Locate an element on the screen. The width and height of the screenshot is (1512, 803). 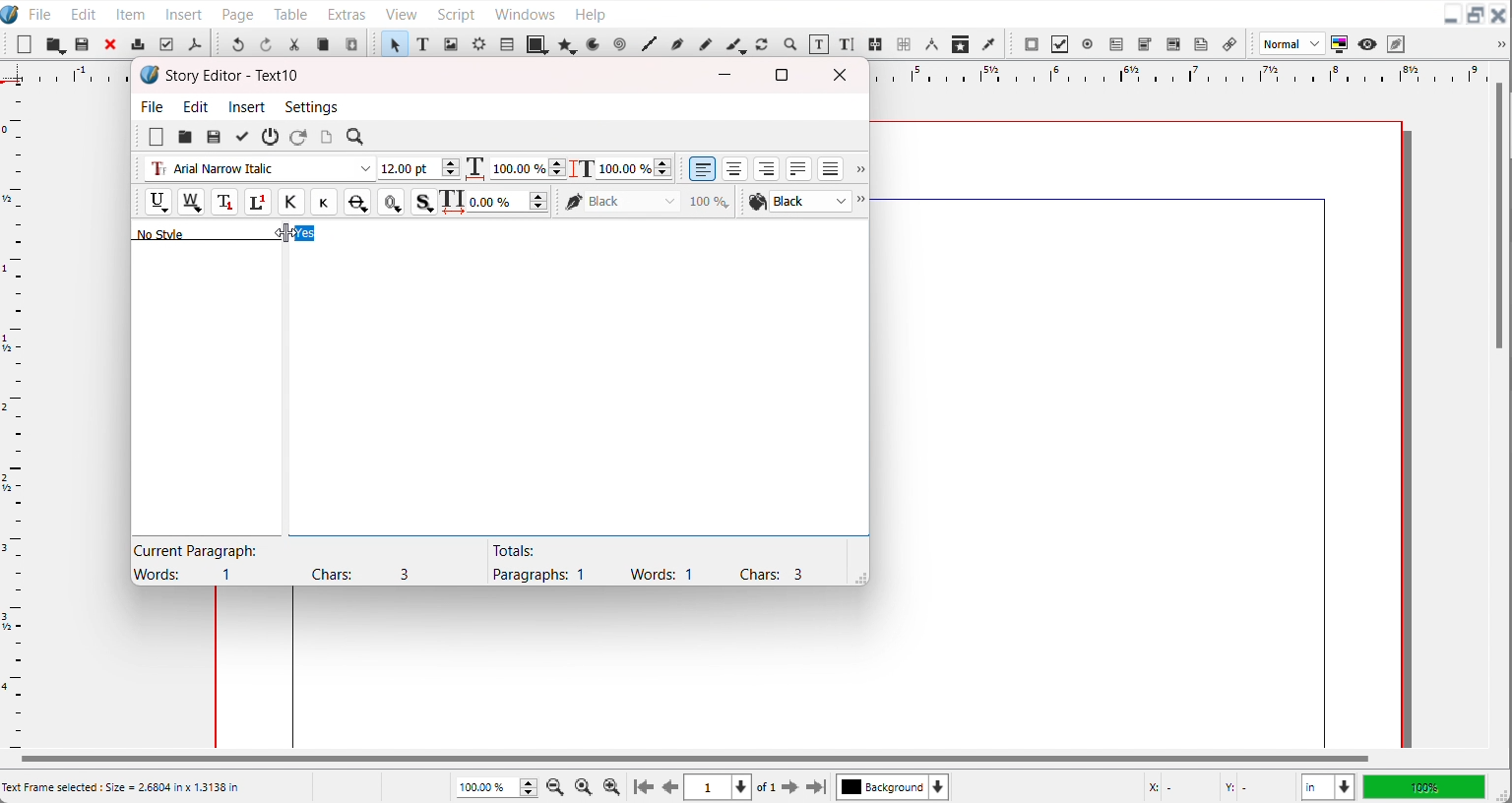
Text is located at coordinates (225, 232).